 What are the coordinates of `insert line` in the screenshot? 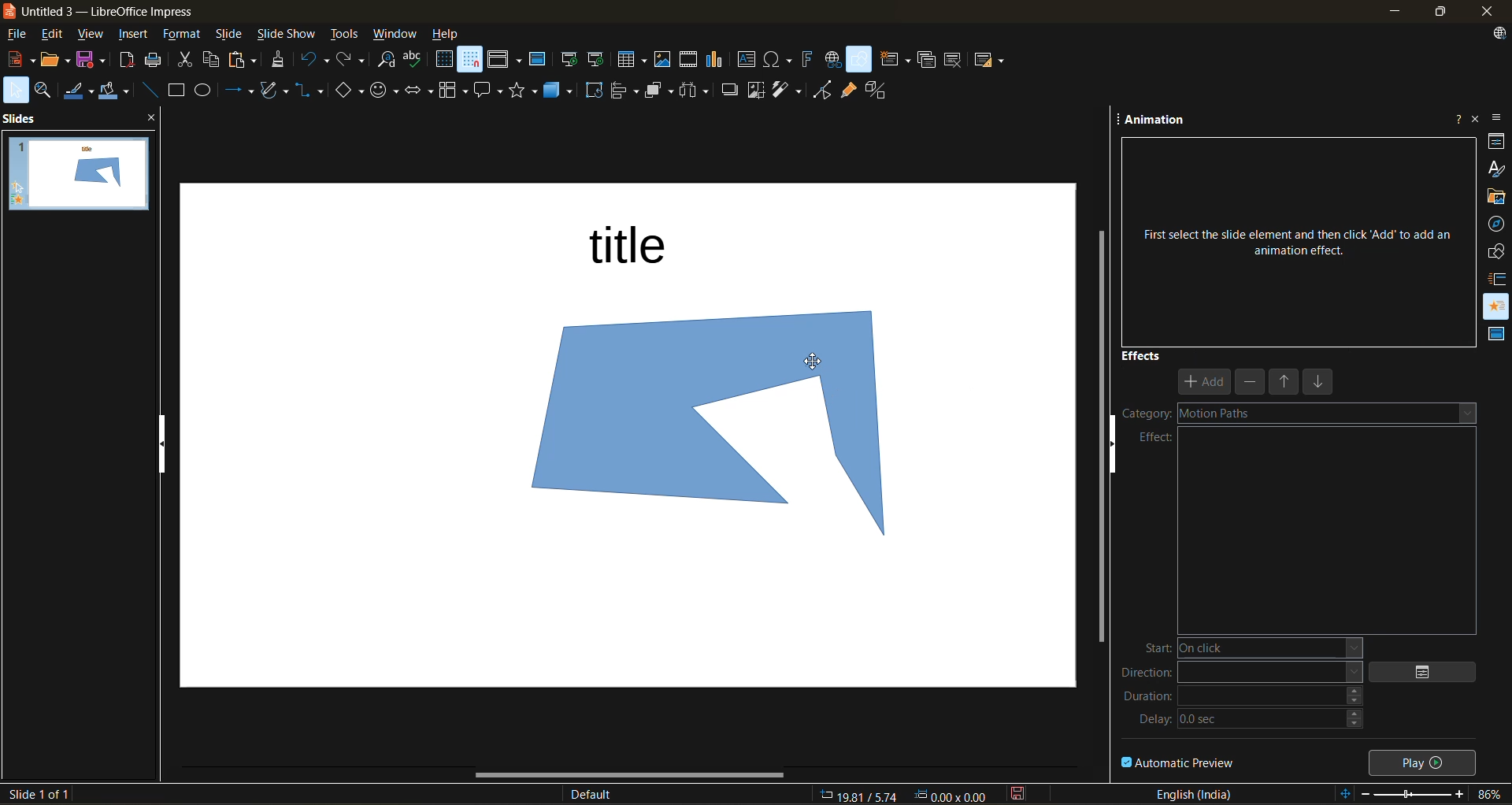 It's located at (150, 89).